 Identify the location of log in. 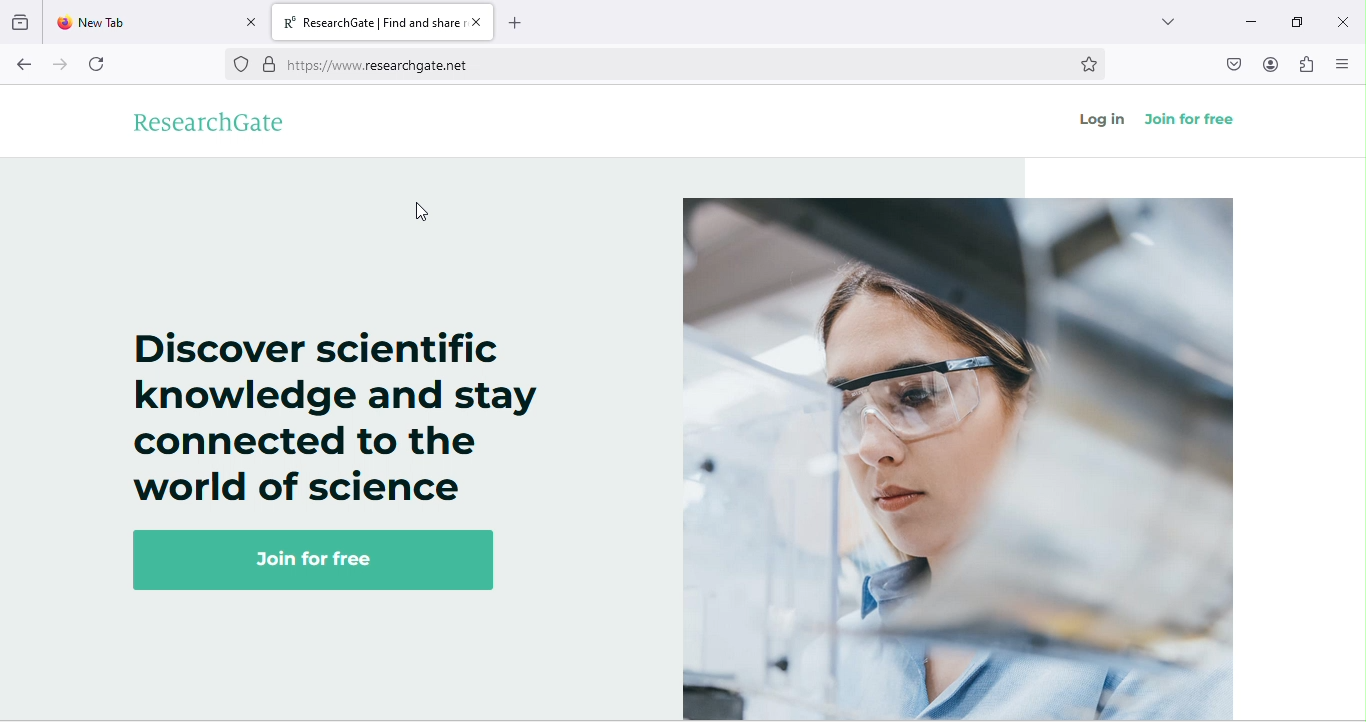
(1098, 119).